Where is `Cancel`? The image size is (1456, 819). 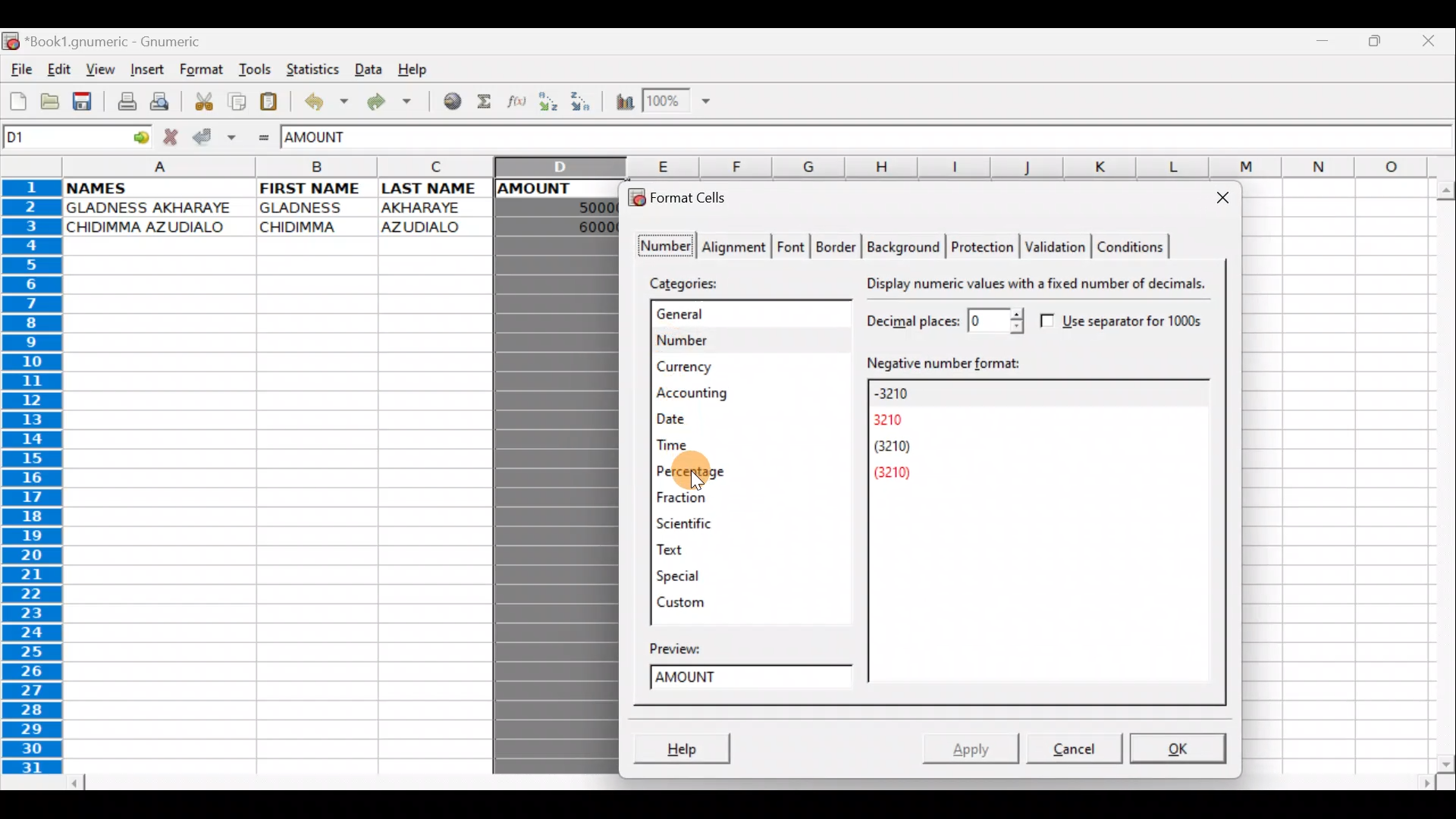
Cancel is located at coordinates (1068, 752).